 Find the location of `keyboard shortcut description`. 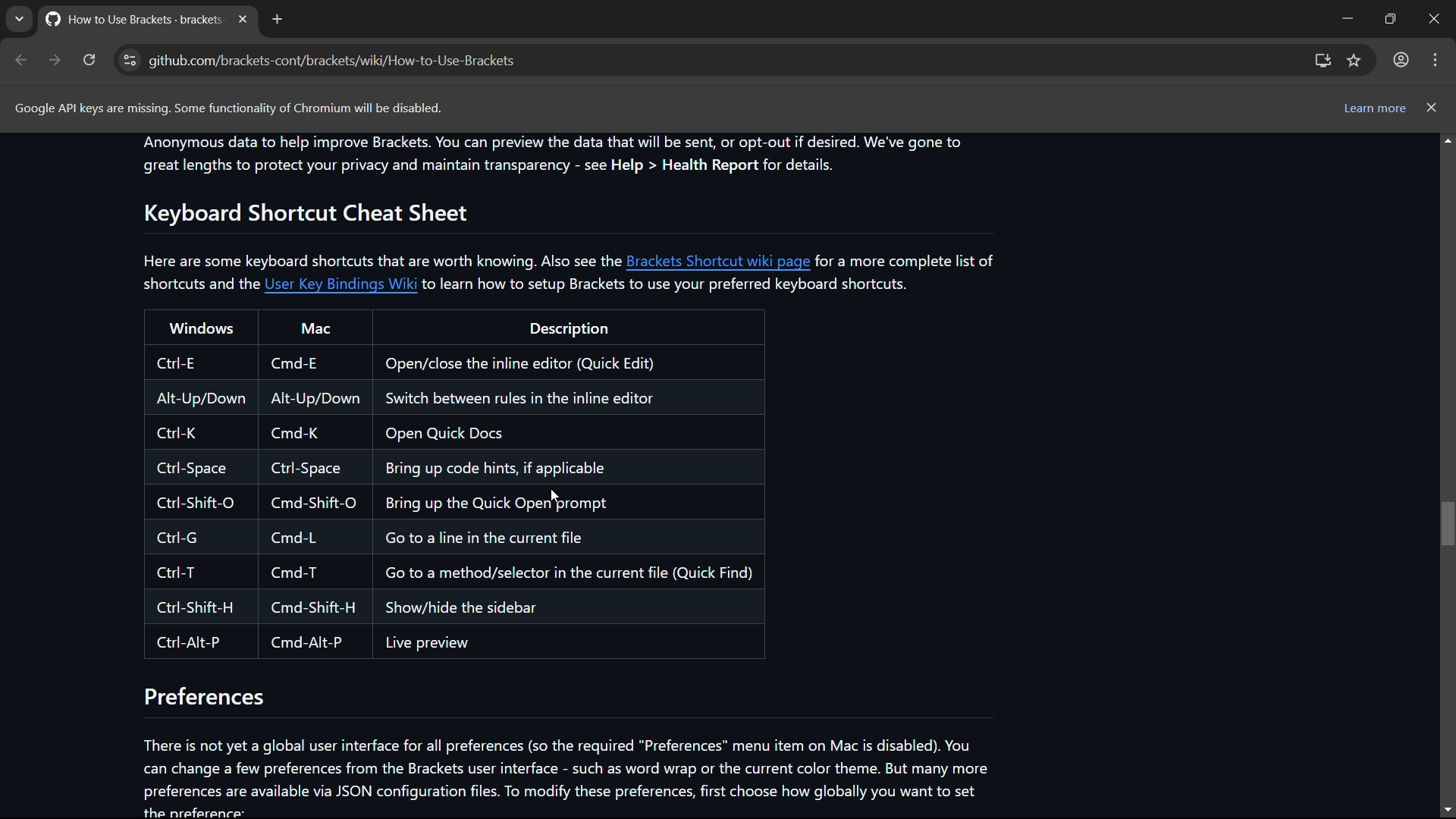

keyboard shortcut description is located at coordinates (570, 501).